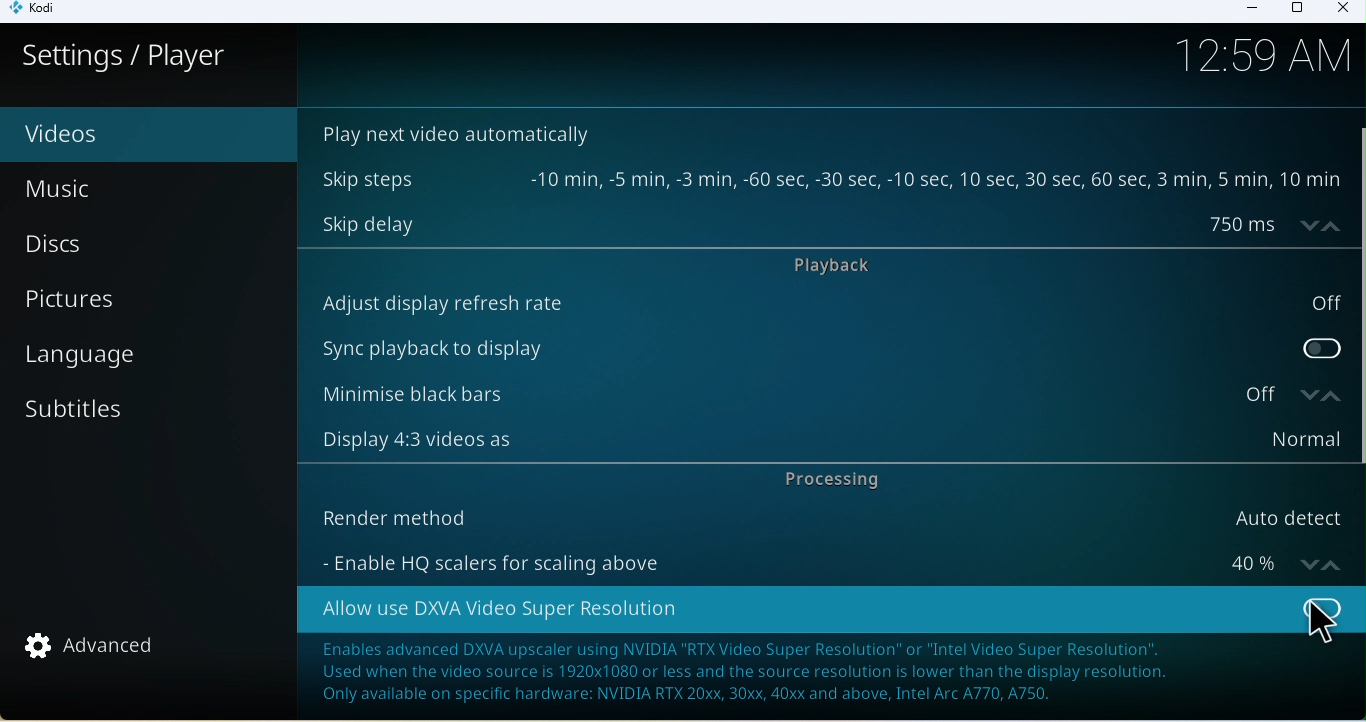  Describe the element at coordinates (822, 303) in the screenshot. I see `Auto display refresh rate` at that location.